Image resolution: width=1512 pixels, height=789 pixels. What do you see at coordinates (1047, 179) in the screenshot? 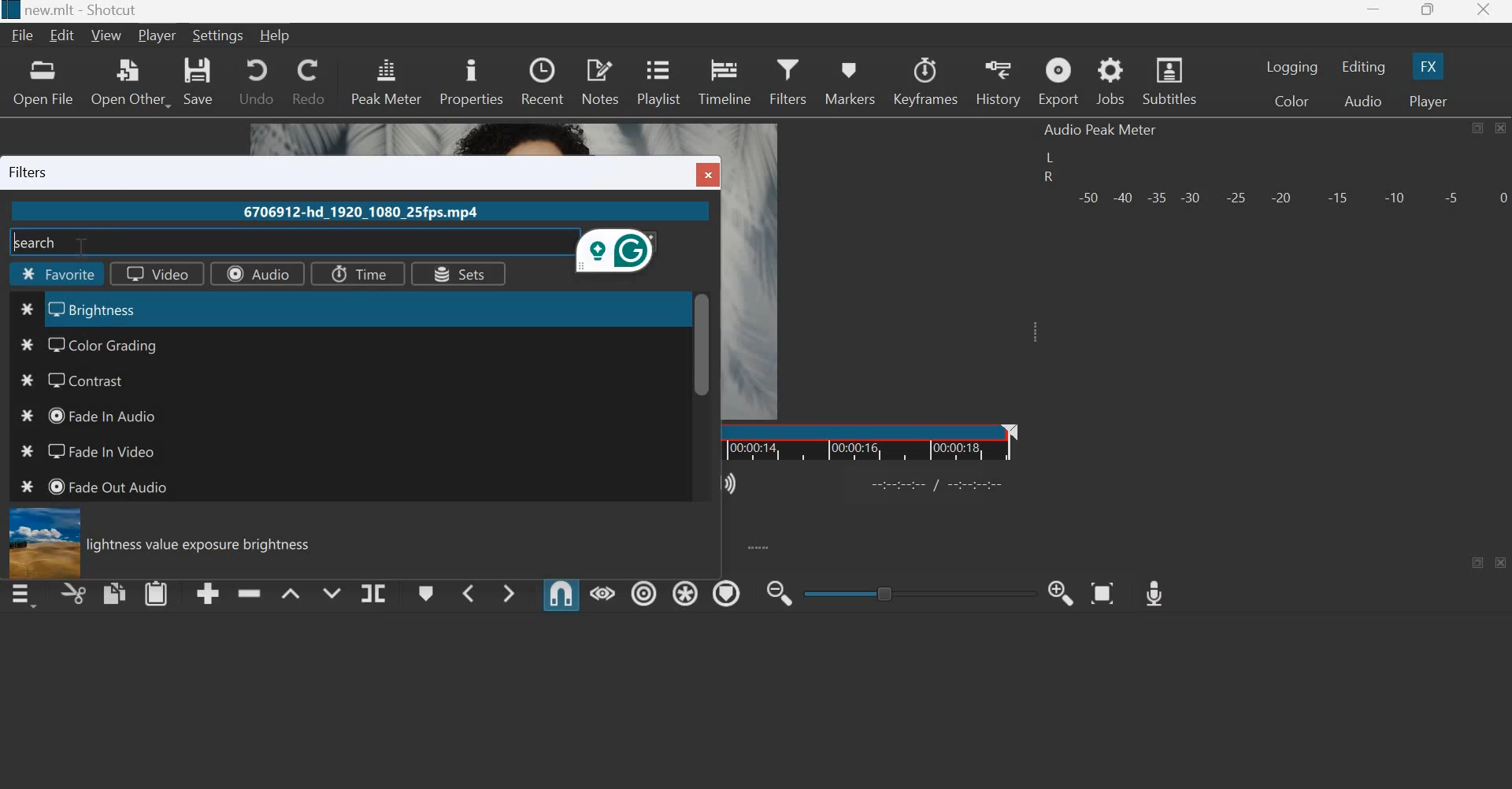
I see `R` at bounding box center [1047, 179].